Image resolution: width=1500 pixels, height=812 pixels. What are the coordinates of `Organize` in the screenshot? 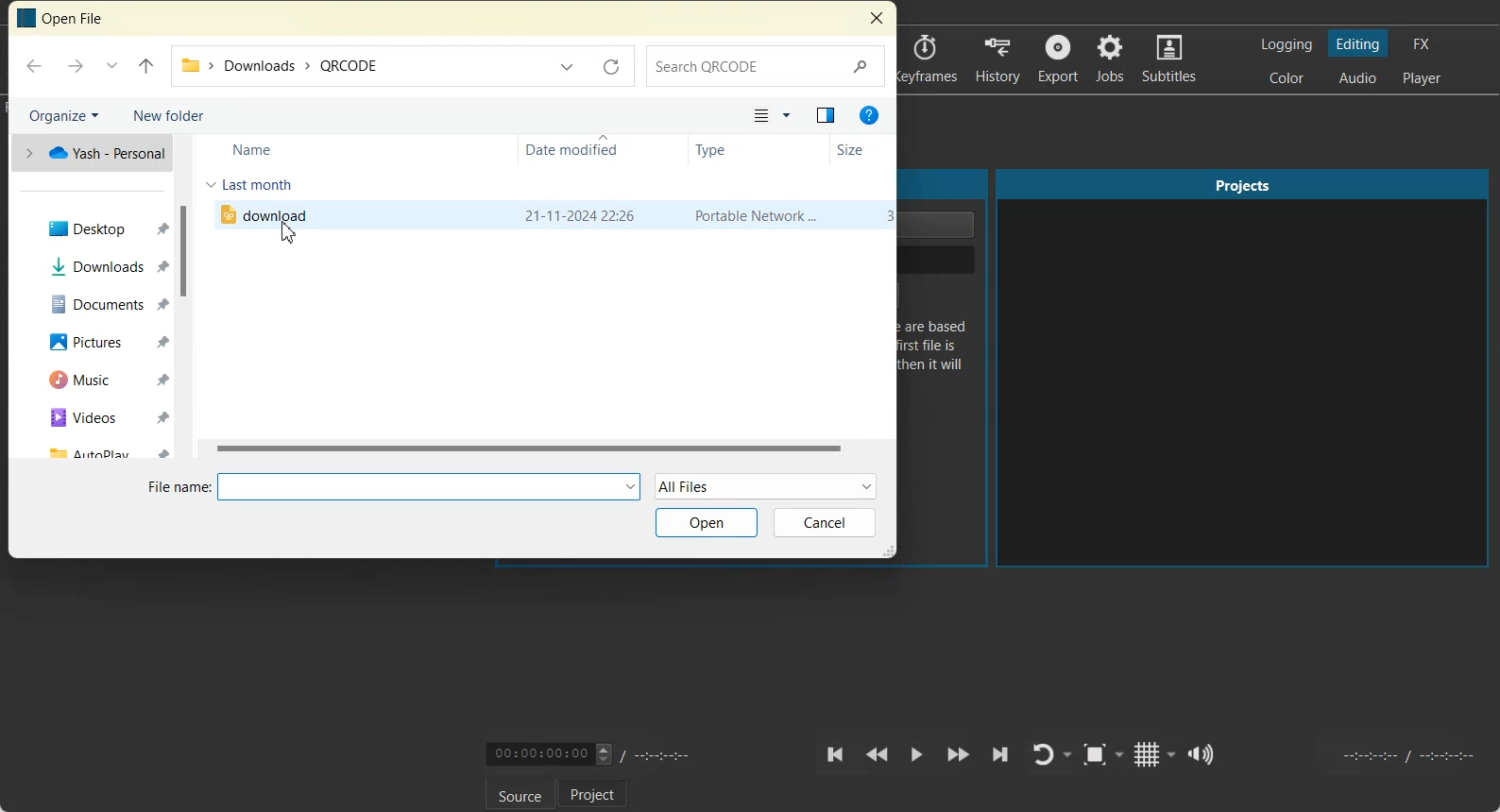 It's located at (62, 113).